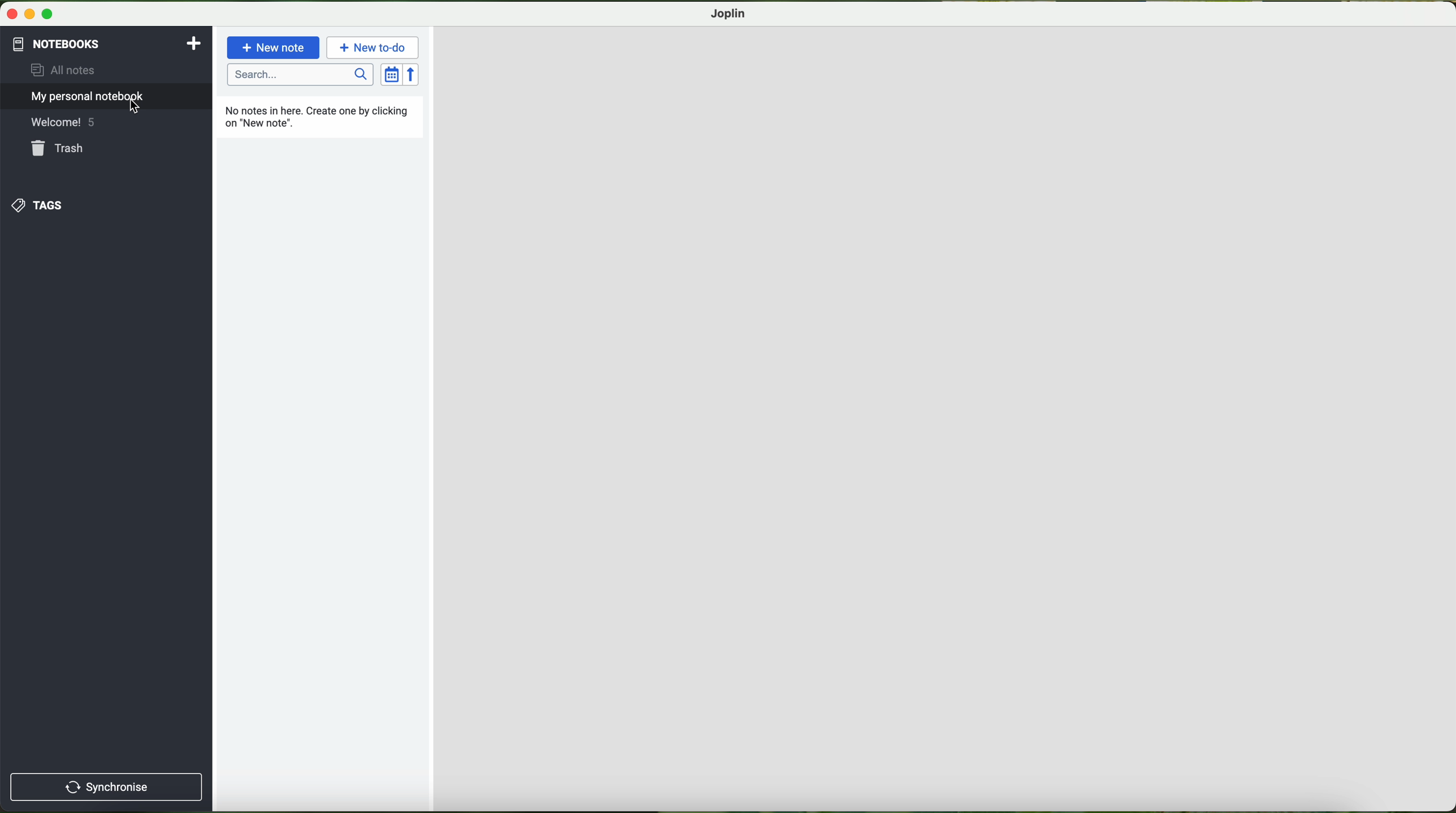 The height and width of the screenshot is (813, 1456). Describe the element at coordinates (729, 14) in the screenshot. I see `joplin` at that location.